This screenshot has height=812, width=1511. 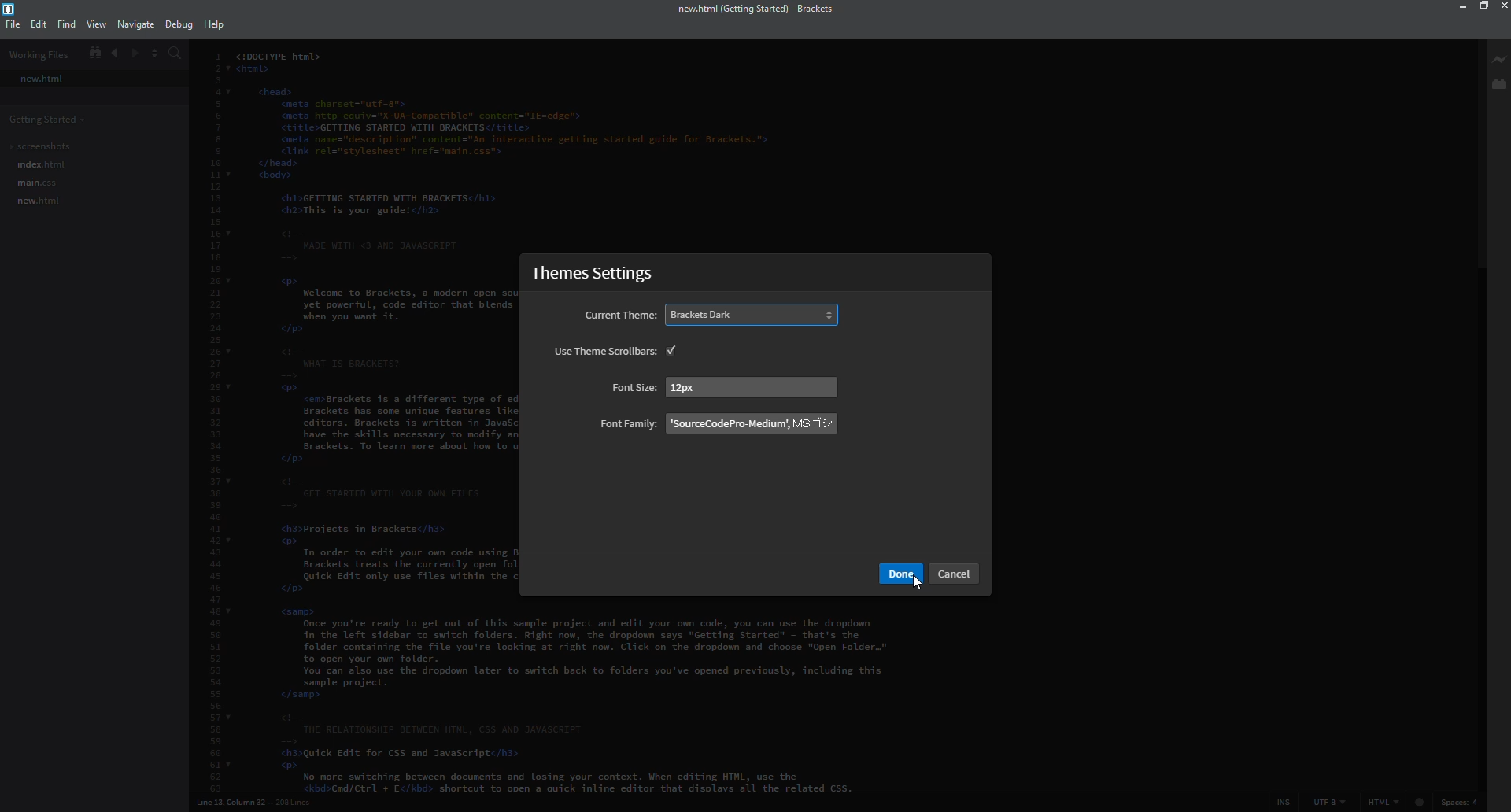 What do you see at coordinates (212, 24) in the screenshot?
I see `help` at bounding box center [212, 24].